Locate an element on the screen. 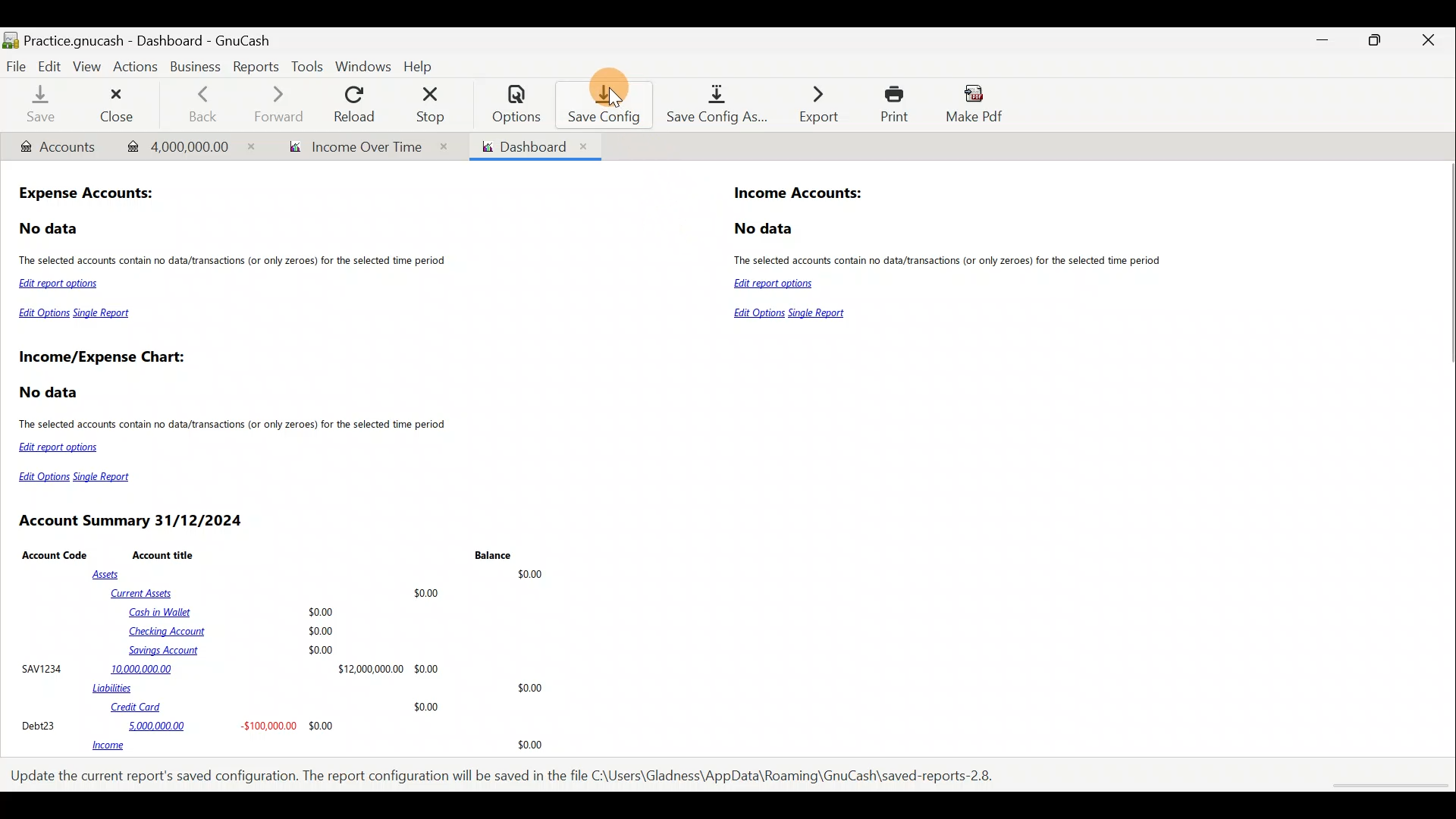  Close is located at coordinates (118, 104).